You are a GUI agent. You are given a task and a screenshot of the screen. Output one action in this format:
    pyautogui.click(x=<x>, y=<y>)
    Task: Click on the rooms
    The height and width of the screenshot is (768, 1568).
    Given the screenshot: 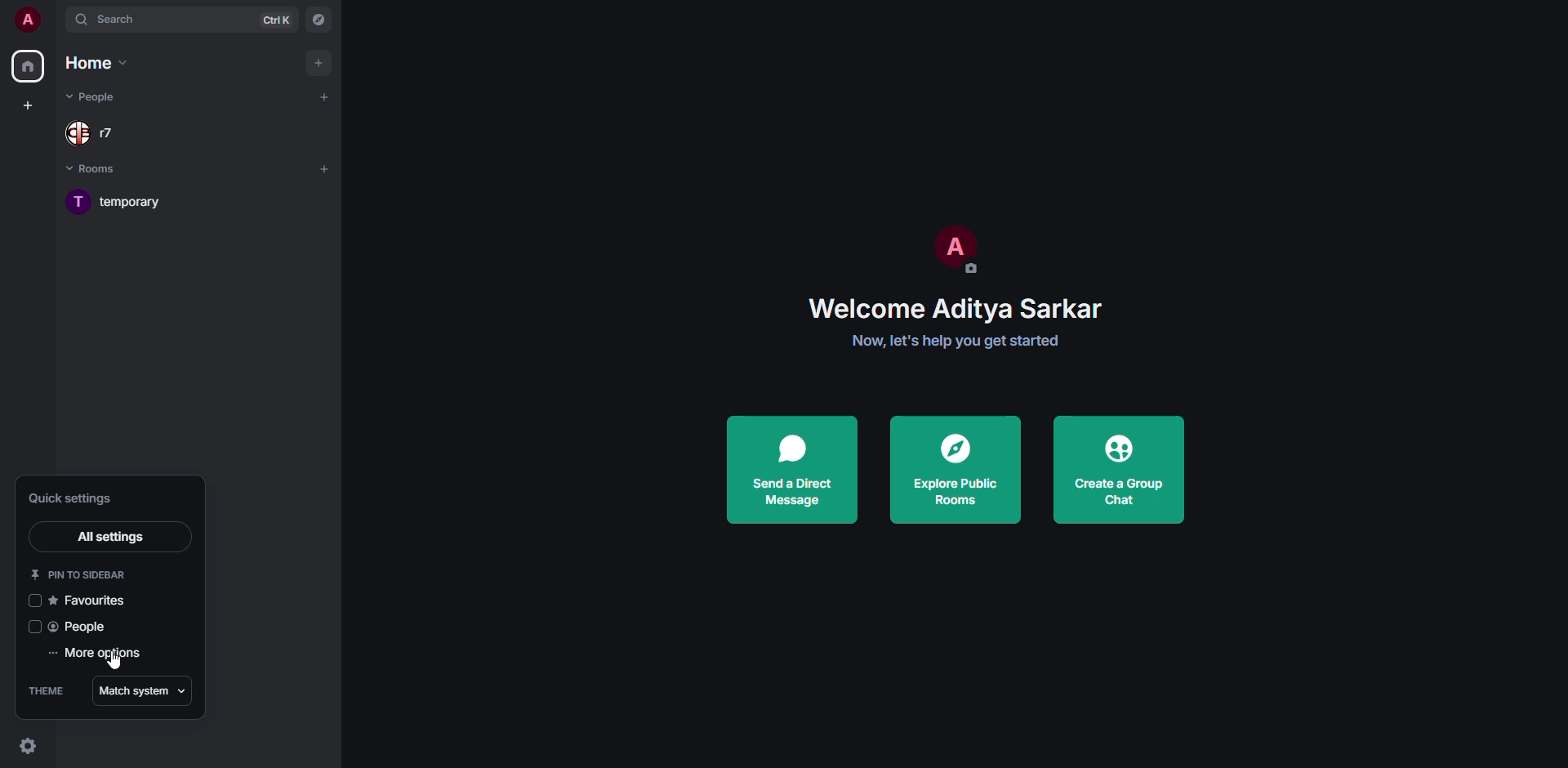 What is the action you would take?
    pyautogui.click(x=101, y=170)
    